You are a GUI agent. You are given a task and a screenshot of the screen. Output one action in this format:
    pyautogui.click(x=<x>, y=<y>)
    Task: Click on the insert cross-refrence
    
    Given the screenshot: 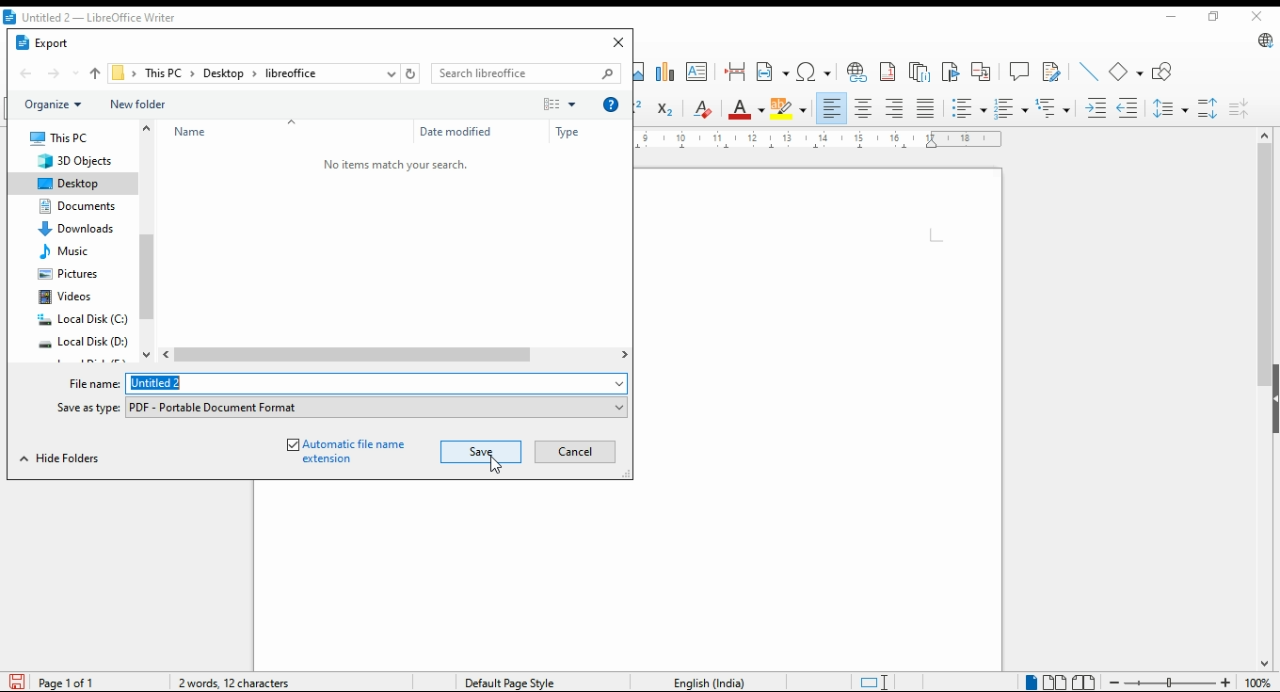 What is the action you would take?
    pyautogui.click(x=982, y=69)
    